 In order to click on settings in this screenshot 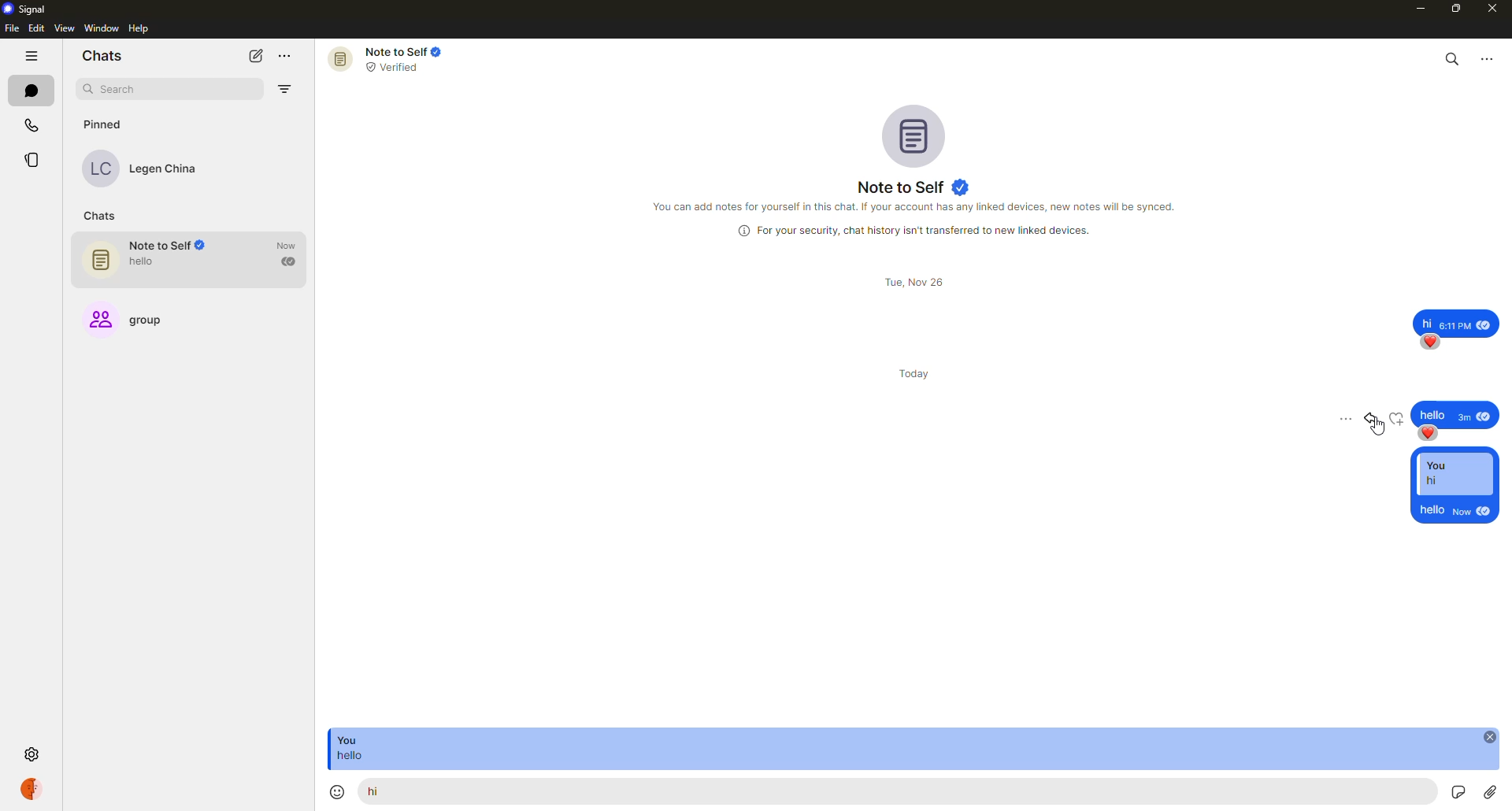, I will do `click(33, 752)`.